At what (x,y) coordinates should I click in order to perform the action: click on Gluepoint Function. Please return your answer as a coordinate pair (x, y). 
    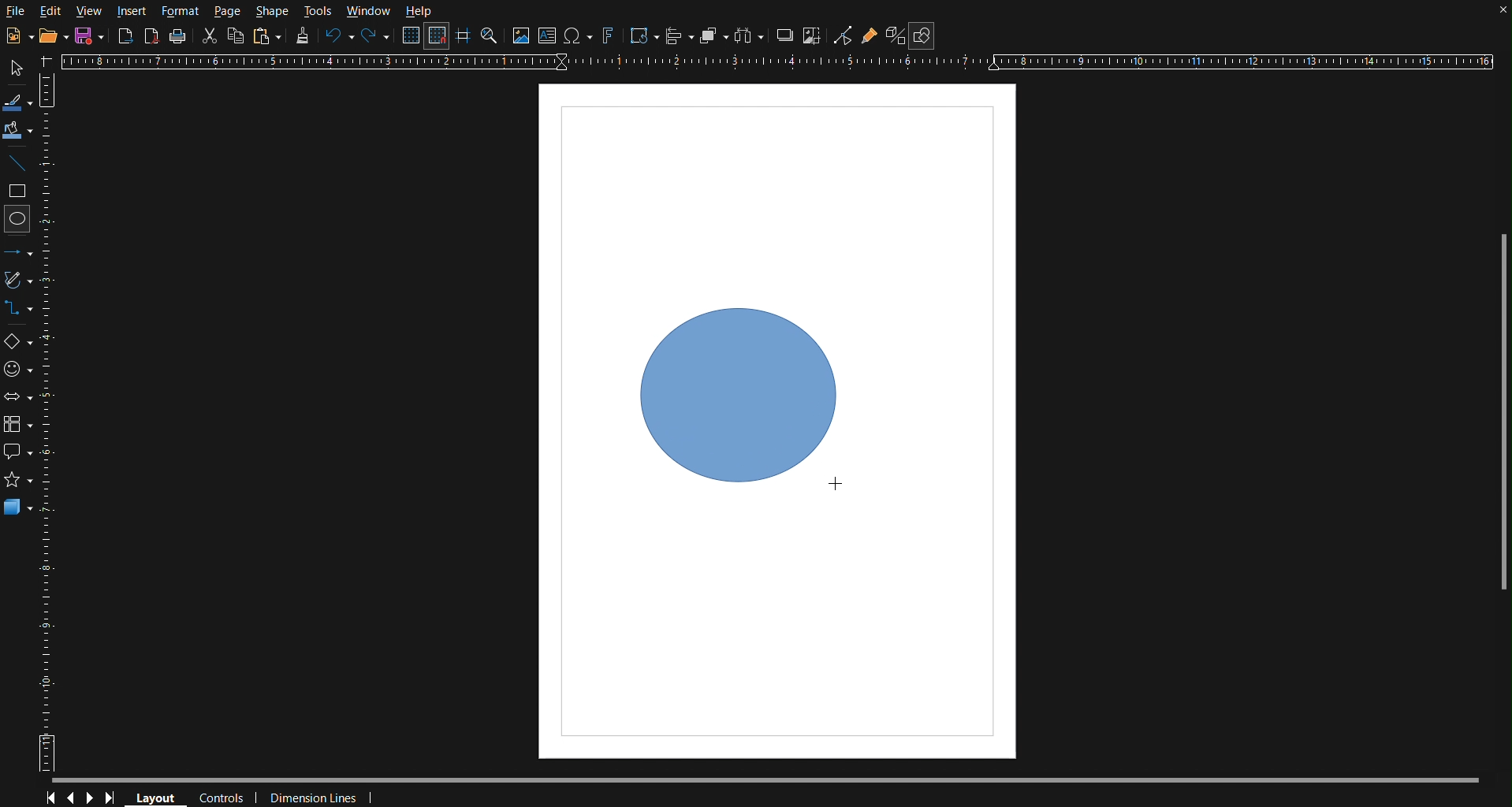
    Looking at the image, I should click on (870, 37).